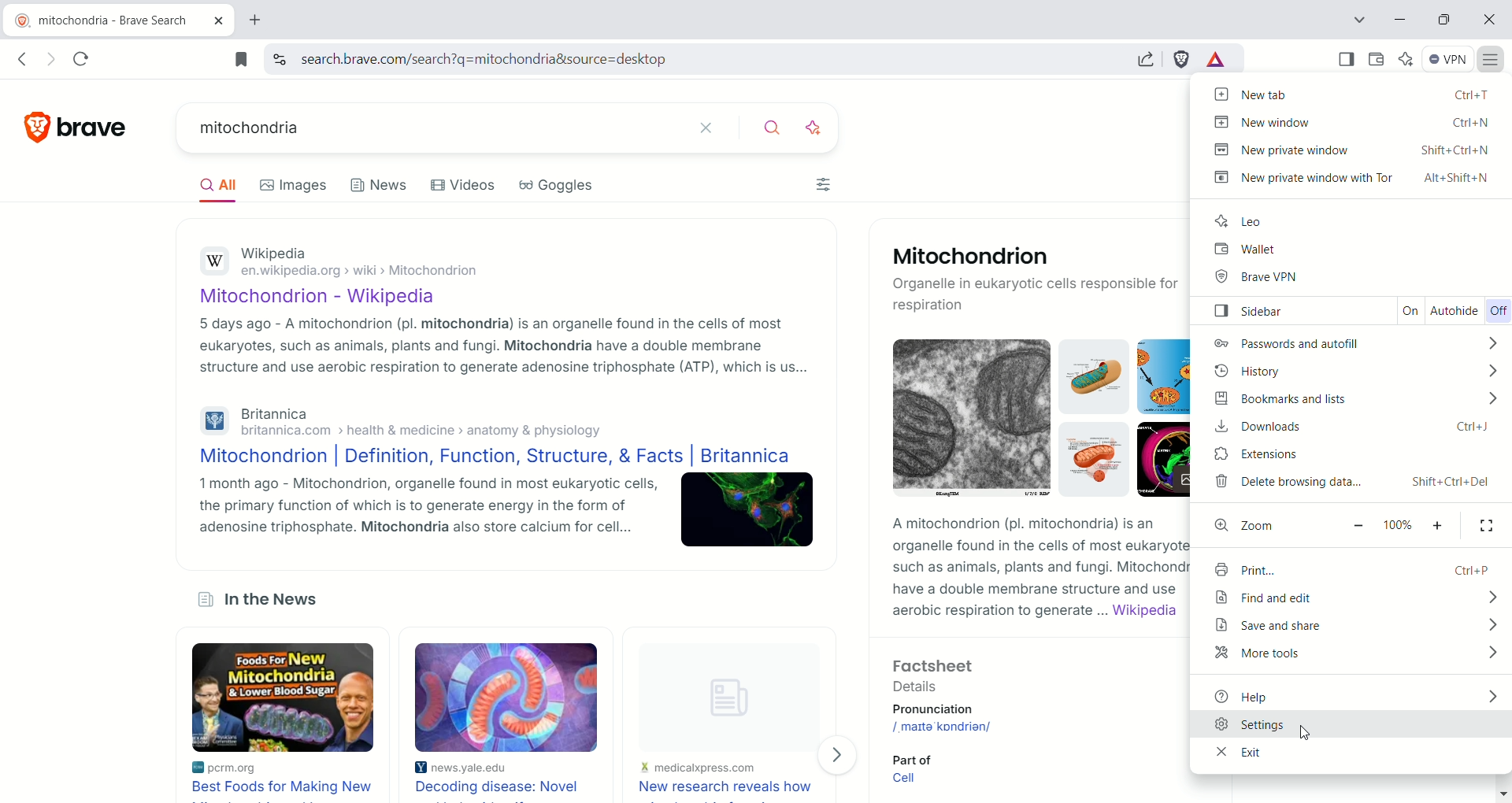 This screenshot has width=1512, height=803. What do you see at coordinates (1357, 19) in the screenshot?
I see `search tab` at bounding box center [1357, 19].